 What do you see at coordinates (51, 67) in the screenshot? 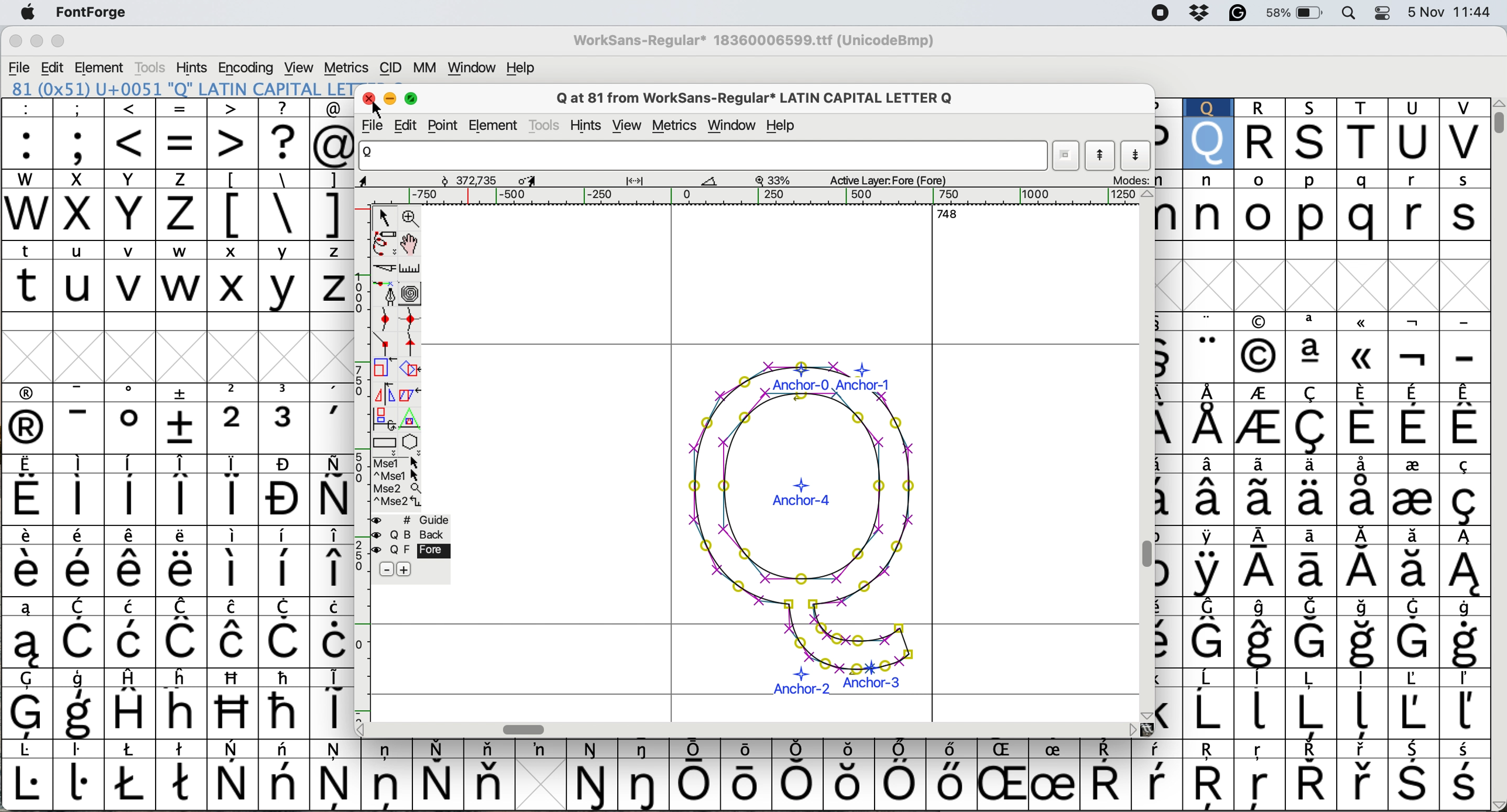
I see `edit` at bounding box center [51, 67].